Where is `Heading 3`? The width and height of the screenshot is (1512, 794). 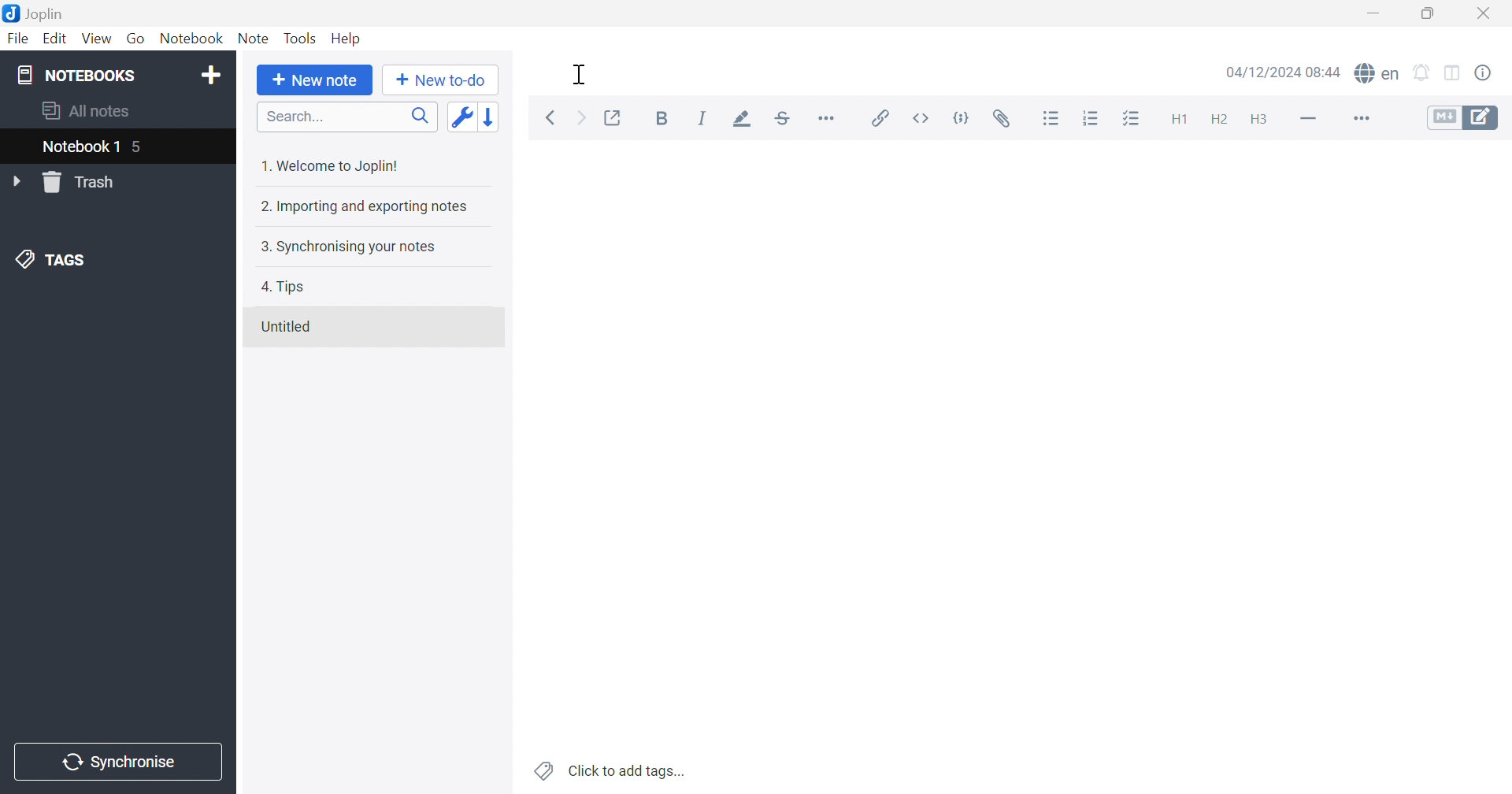
Heading 3 is located at coordinates (1259, 117).